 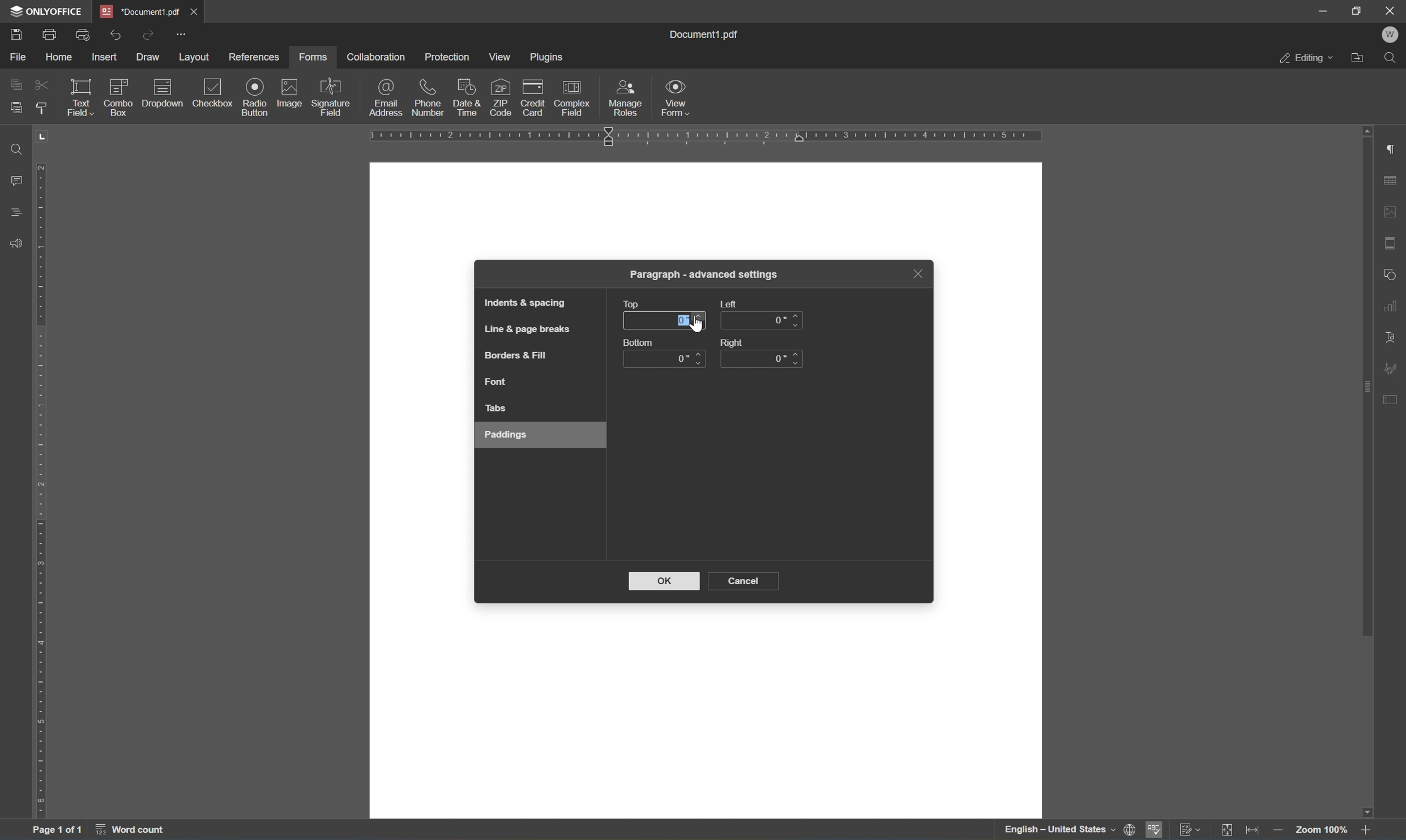 I want to click on copy style, so click(x=41, y=108).